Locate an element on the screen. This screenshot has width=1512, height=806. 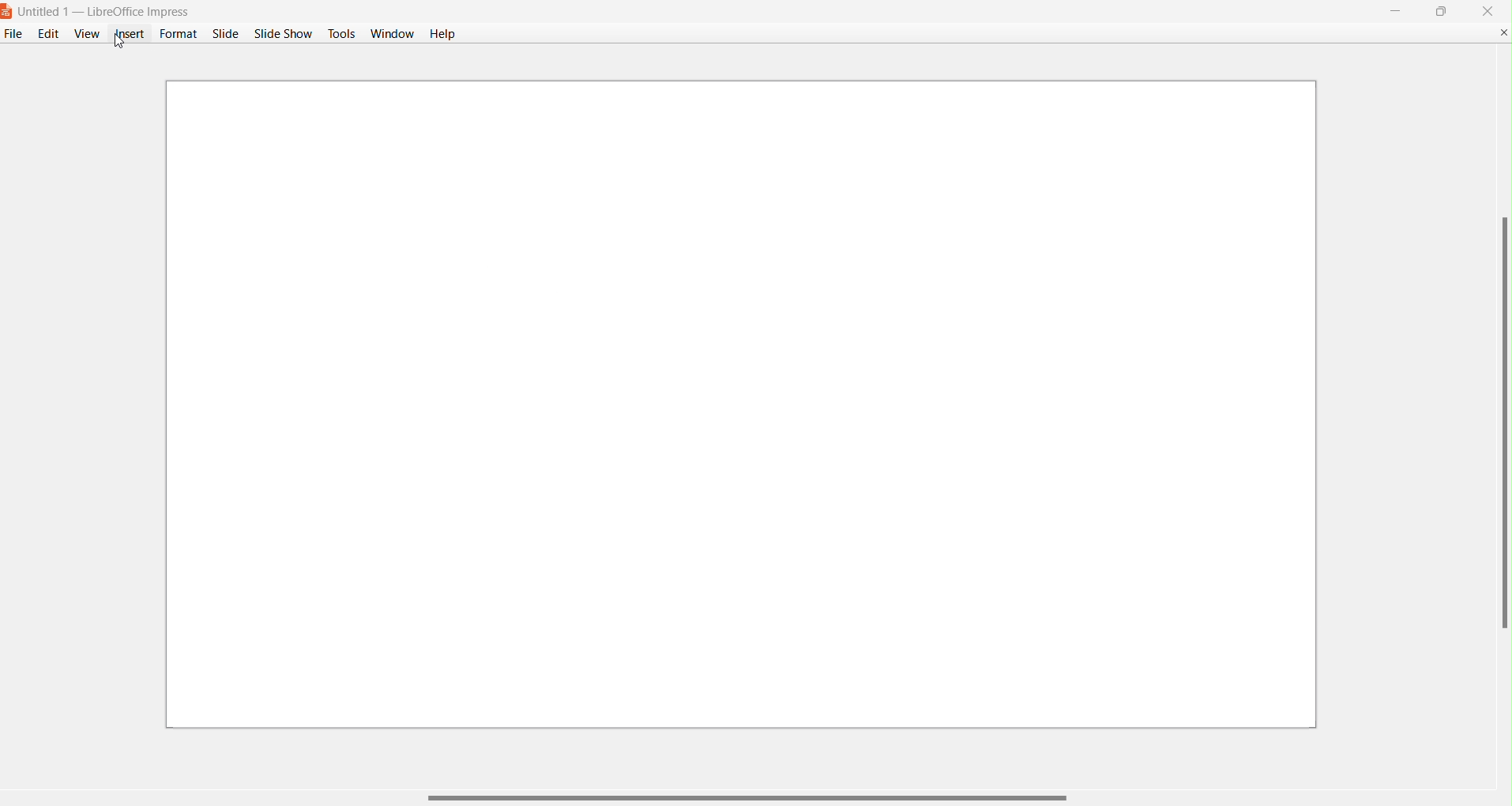
Logo is located at coordinates (8, 13).